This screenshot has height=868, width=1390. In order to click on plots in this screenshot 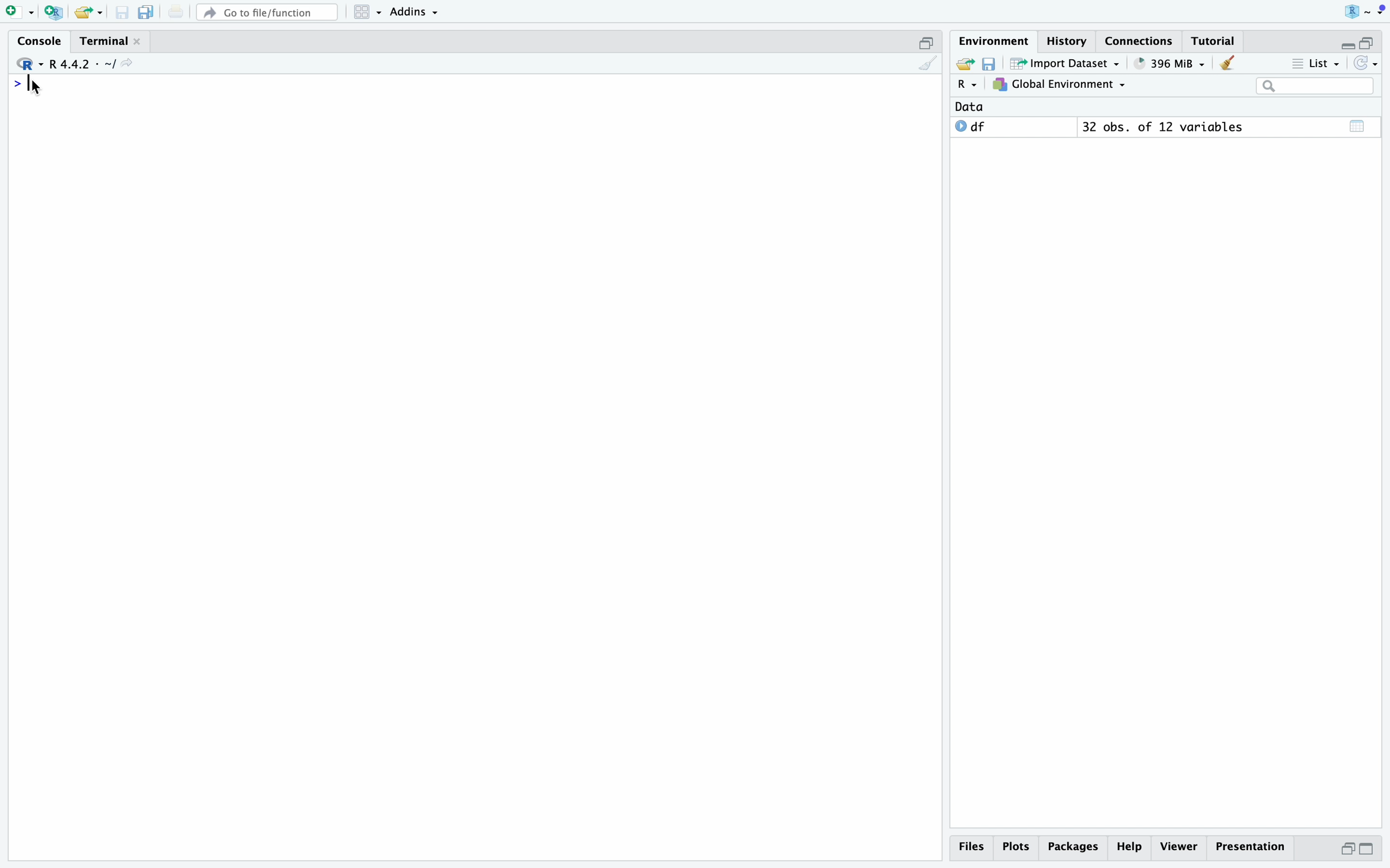, I will do `click(1018, 848)`.